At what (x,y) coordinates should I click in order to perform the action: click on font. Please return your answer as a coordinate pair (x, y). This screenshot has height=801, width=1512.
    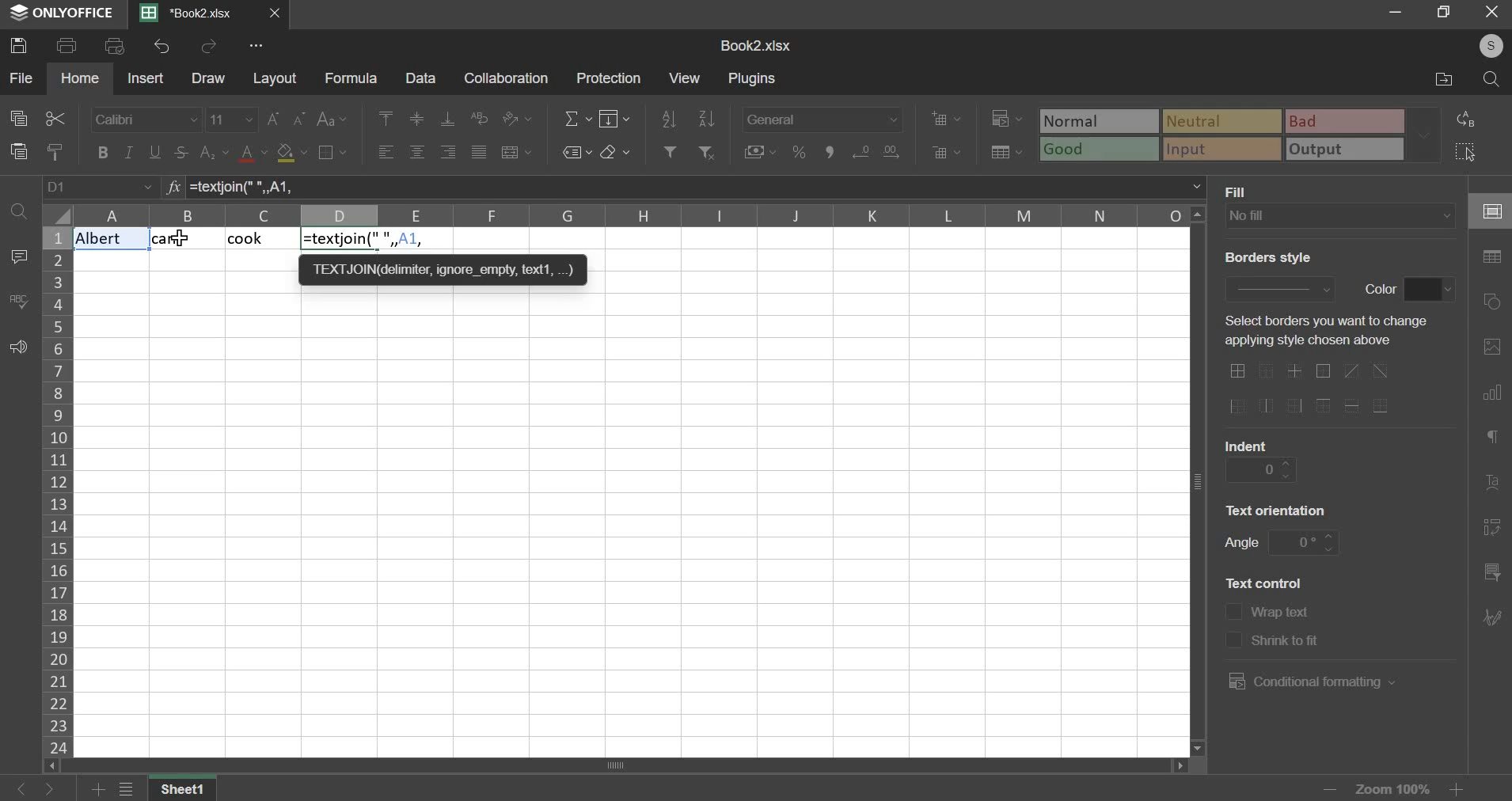
    Looking at the image, I should click on (145, 120).